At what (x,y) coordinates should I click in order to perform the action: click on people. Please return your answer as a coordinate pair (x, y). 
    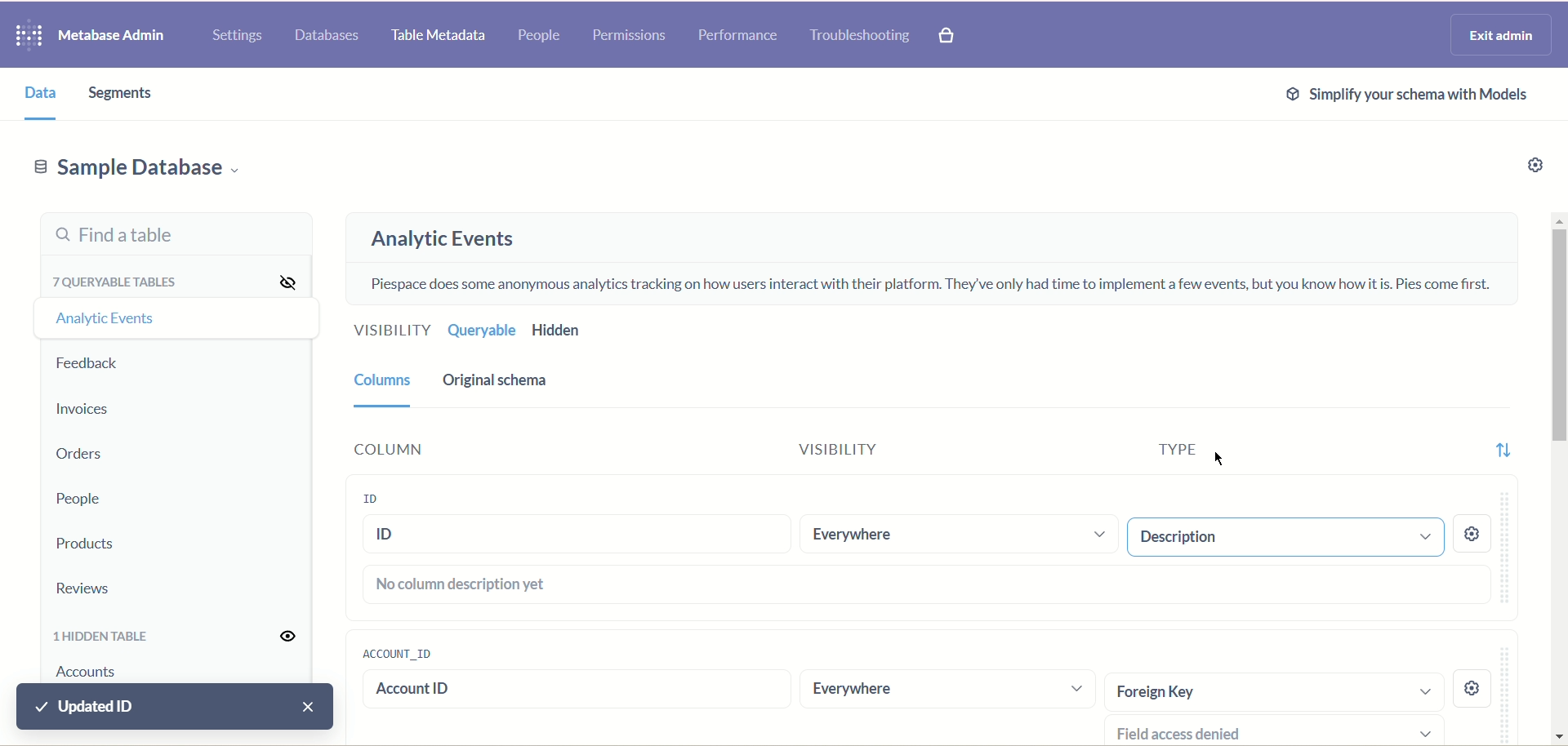
    Looking at the image, I should click on (538, 37).